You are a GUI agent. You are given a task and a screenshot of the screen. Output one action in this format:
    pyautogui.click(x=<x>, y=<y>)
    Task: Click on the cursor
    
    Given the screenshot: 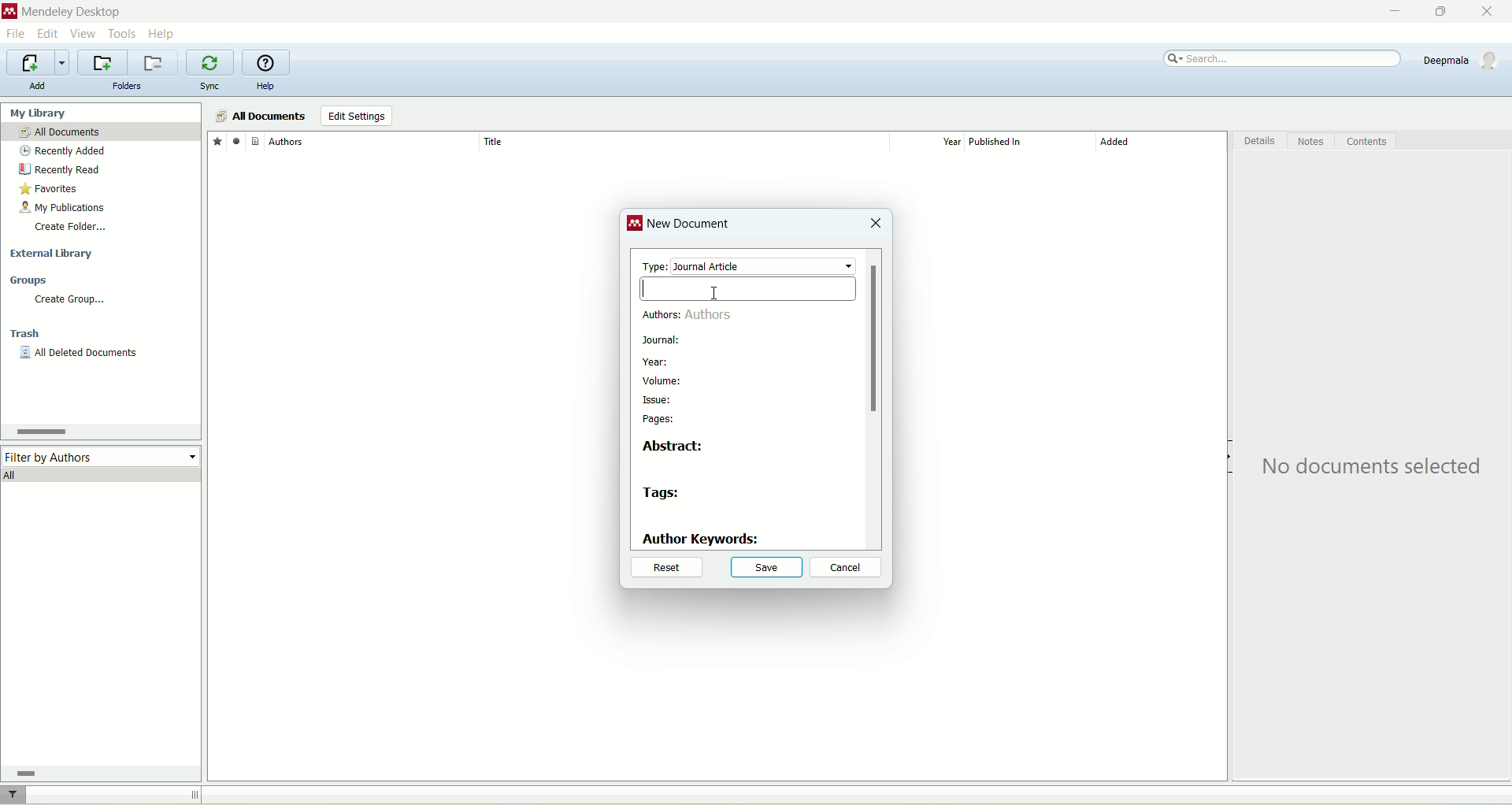 What is the action you would take?
    pyautogui.click(x=719, y=298)
    